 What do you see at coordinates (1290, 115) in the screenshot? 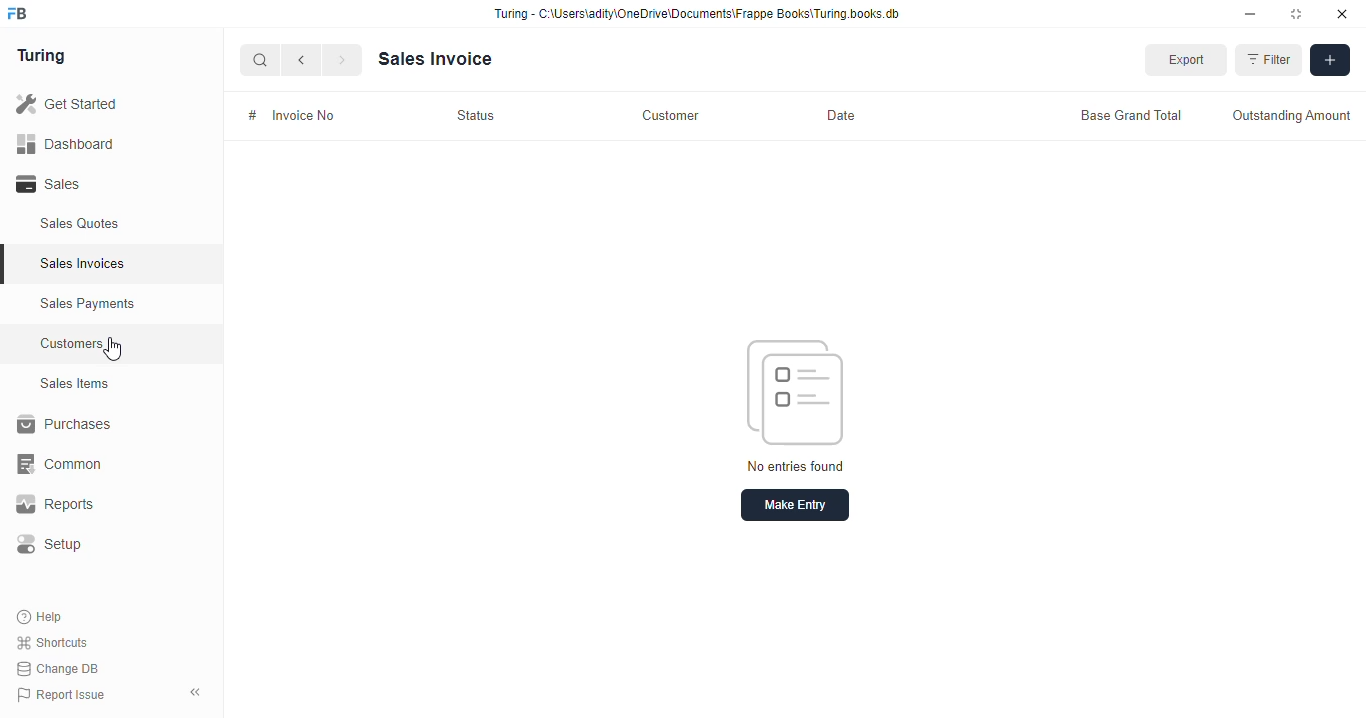
I see `‘Outstanding Amount` at bounding box center [1290, 115].